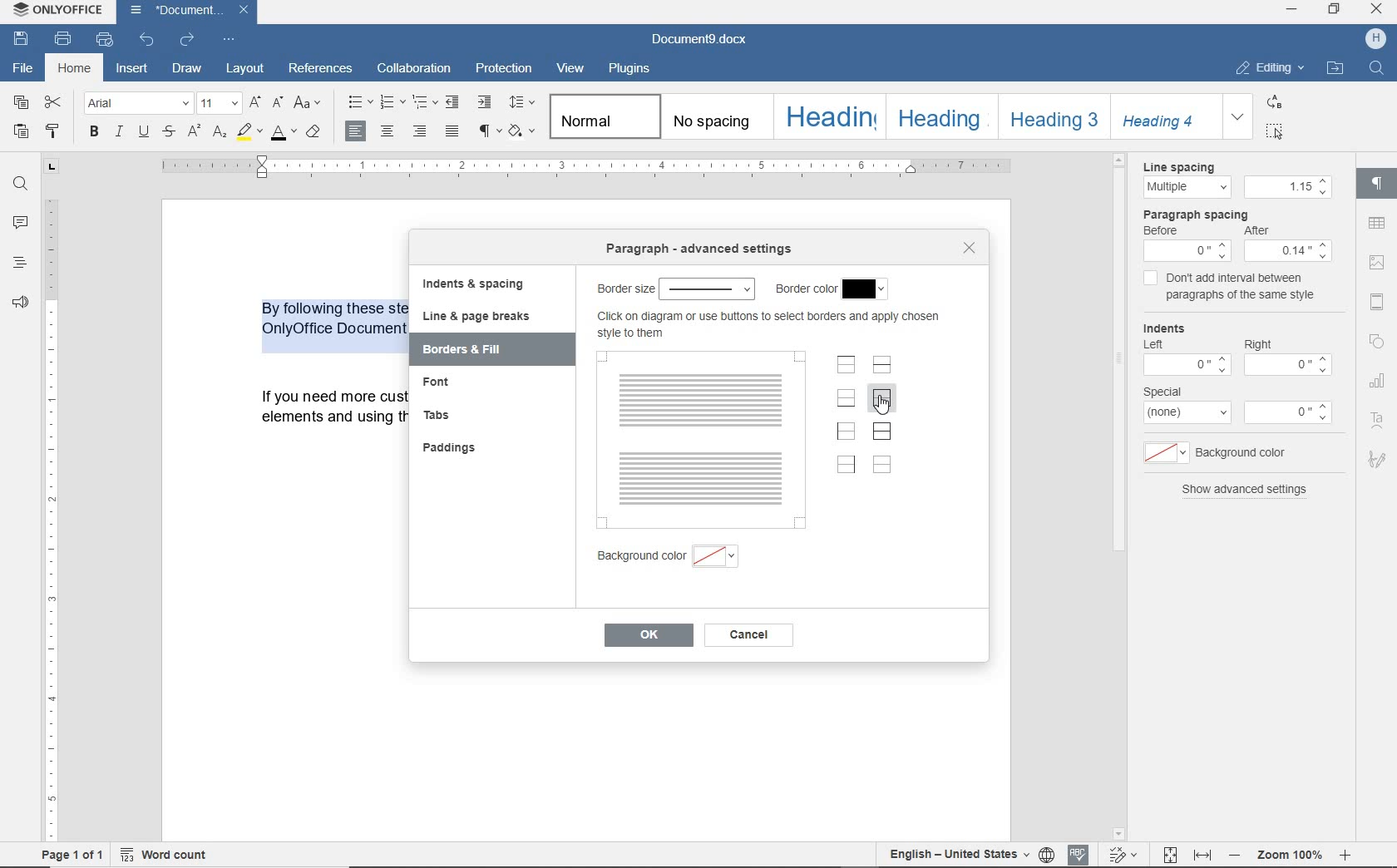  What do you see at coordinates (473, 284) in the screenshot?
I see `indents & spacing` at bounding box center [473, 284].